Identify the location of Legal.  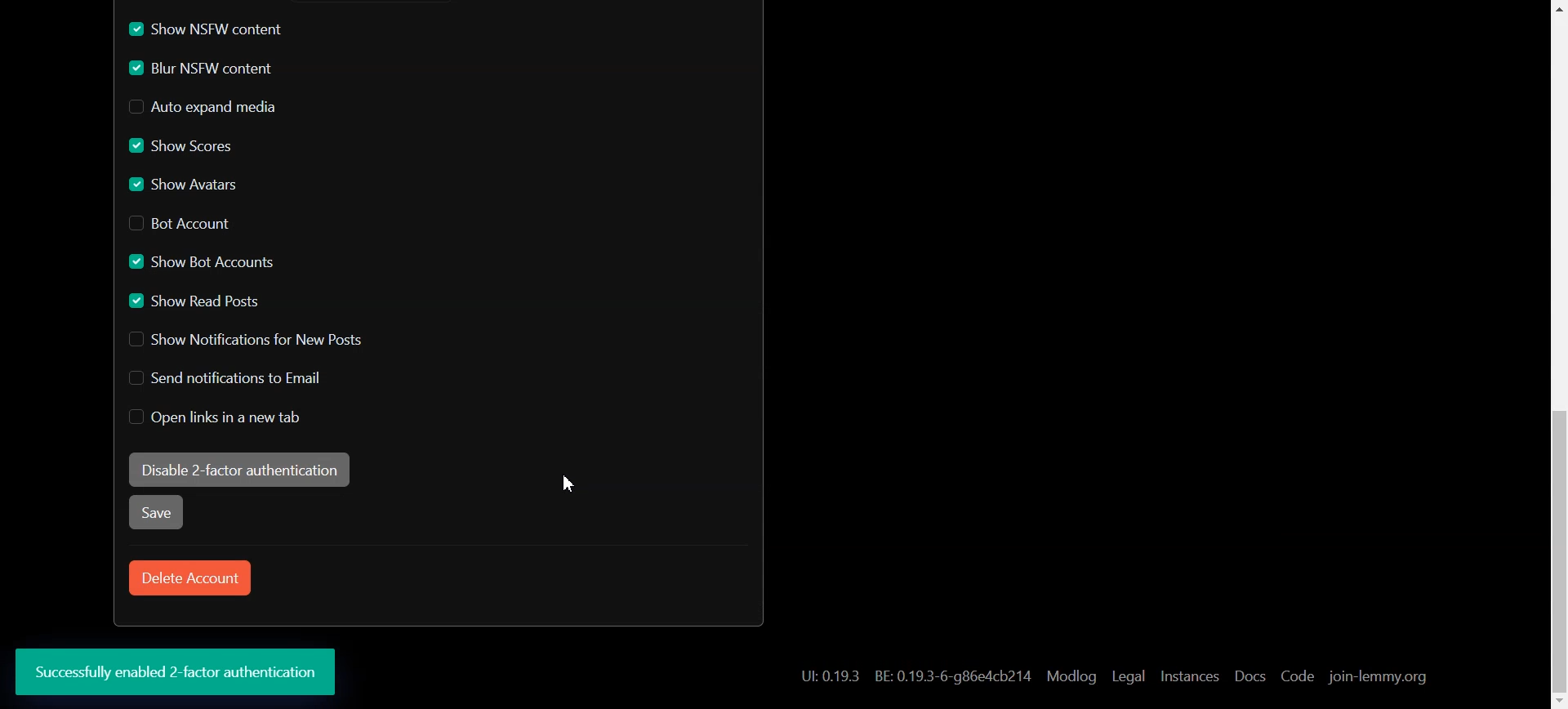
(1129, 676).